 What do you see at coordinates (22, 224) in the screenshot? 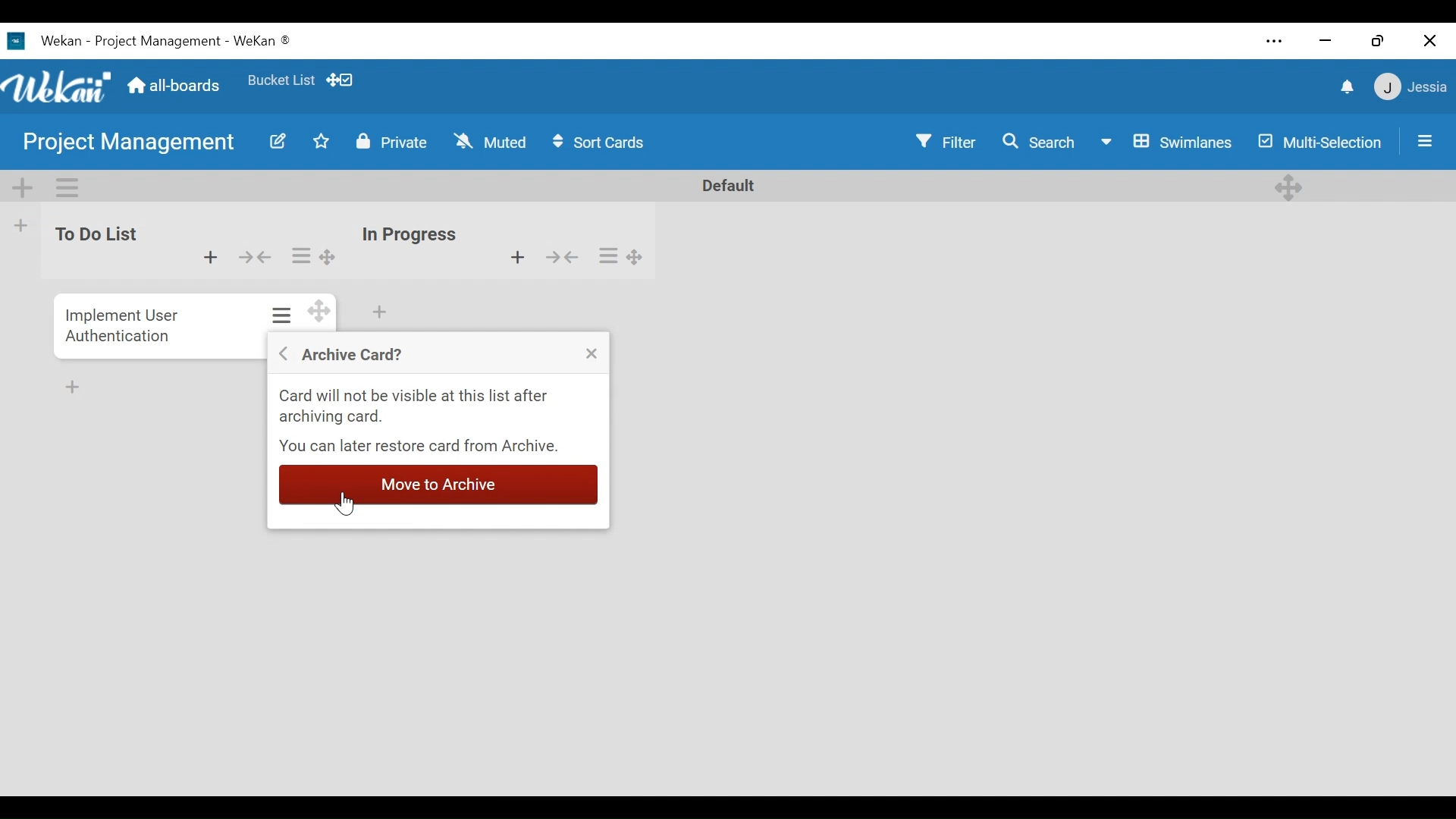
I see `Add list` at bounding box center [22, 224].